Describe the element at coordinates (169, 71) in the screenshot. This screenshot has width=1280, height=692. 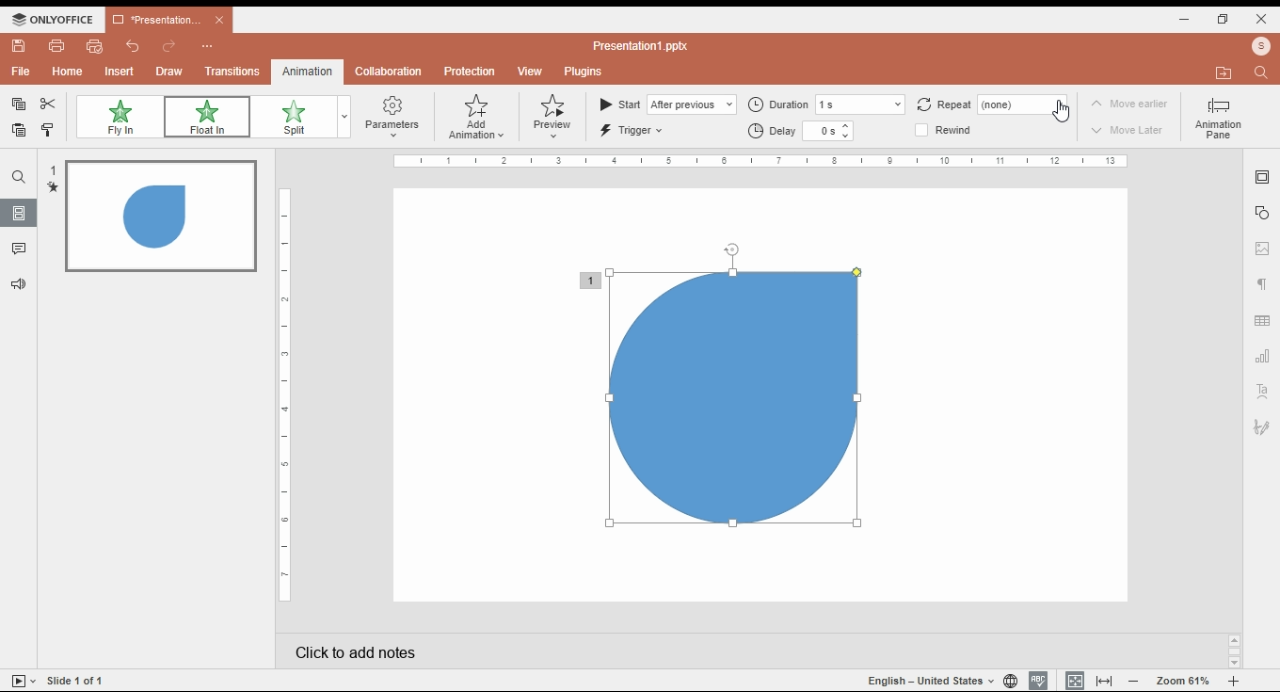
I see `draw` at that location.